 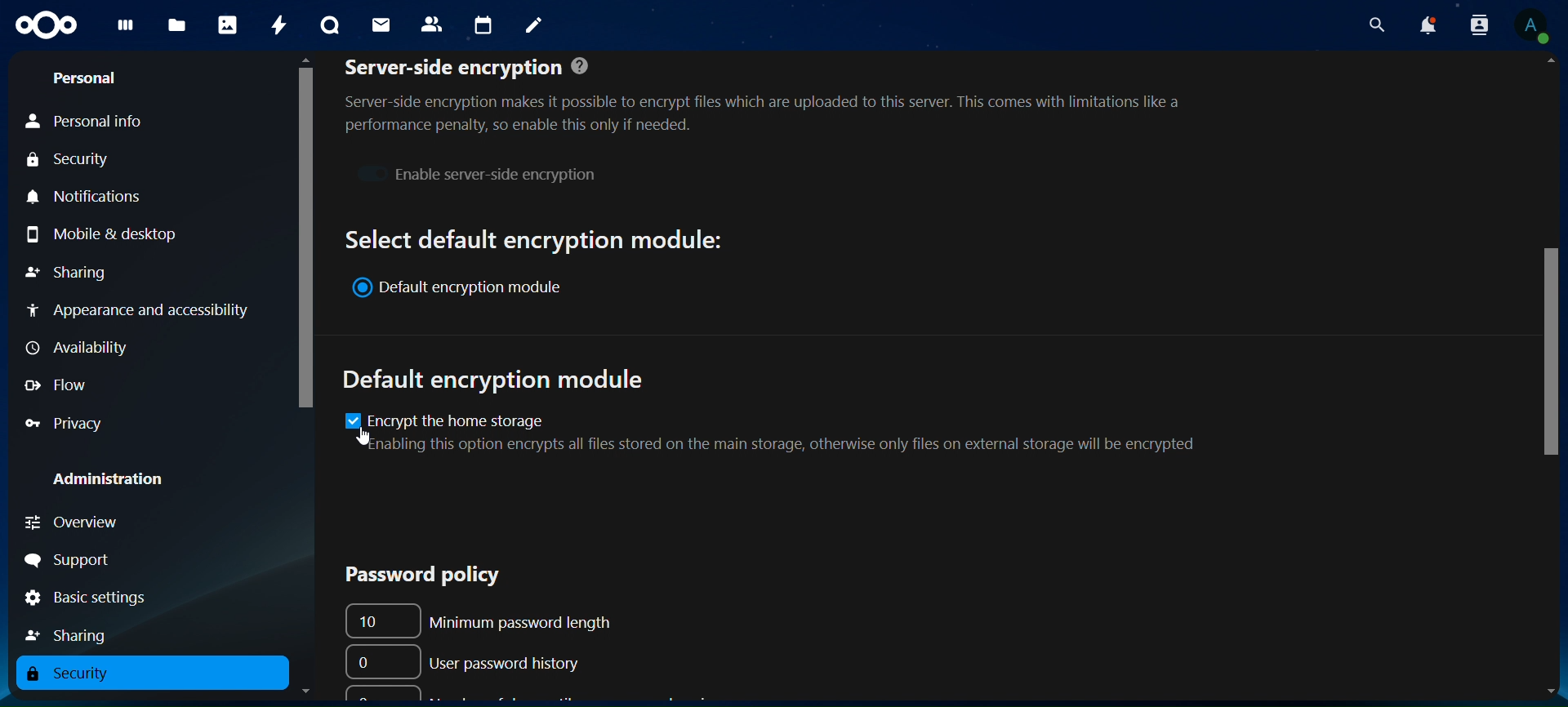 I want to click on scrollbar, so click(x=305, y=235).